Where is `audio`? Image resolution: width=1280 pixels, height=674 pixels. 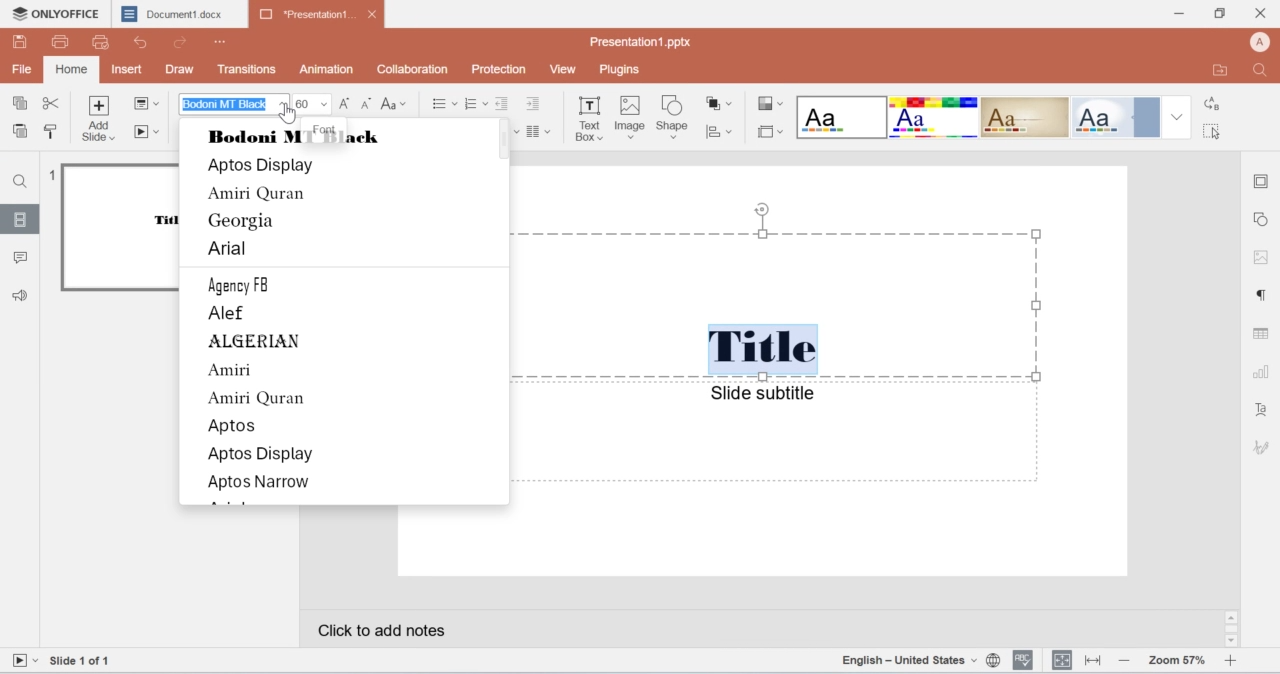
audio is located at coordinates (27, 294).